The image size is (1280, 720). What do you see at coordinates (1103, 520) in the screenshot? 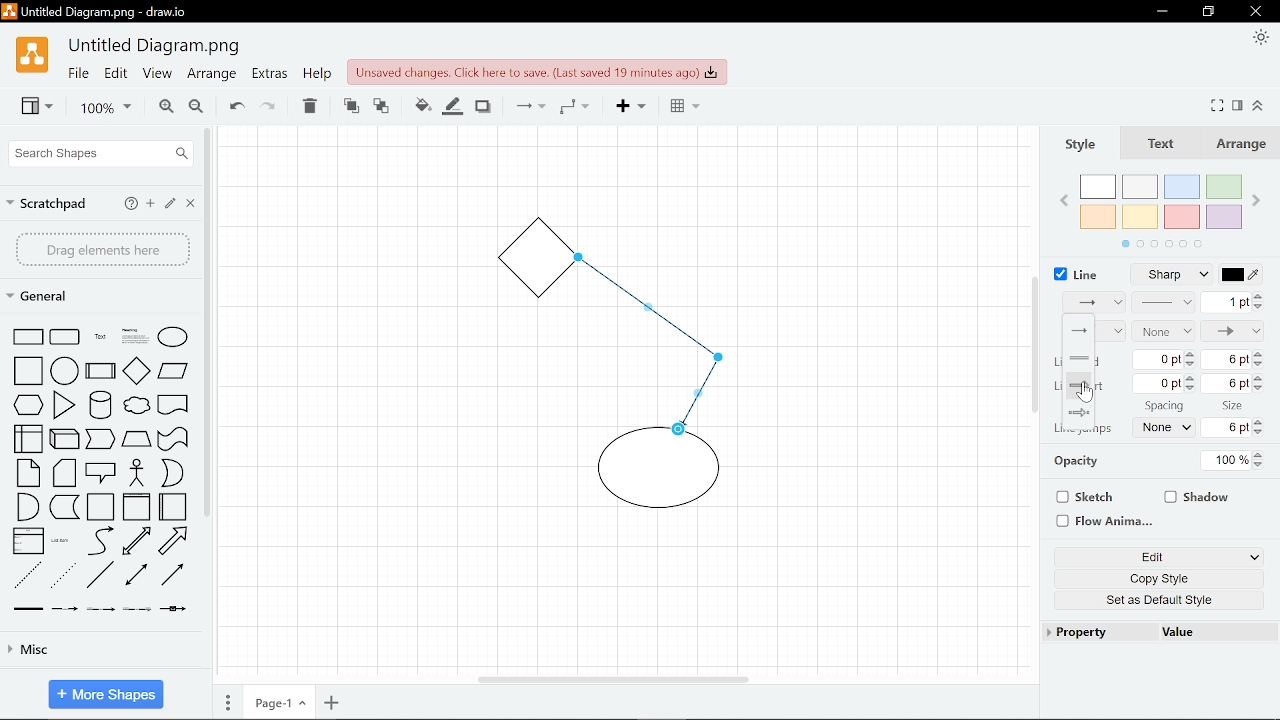
I see `flow animation` at bounding box center [1103, 520].